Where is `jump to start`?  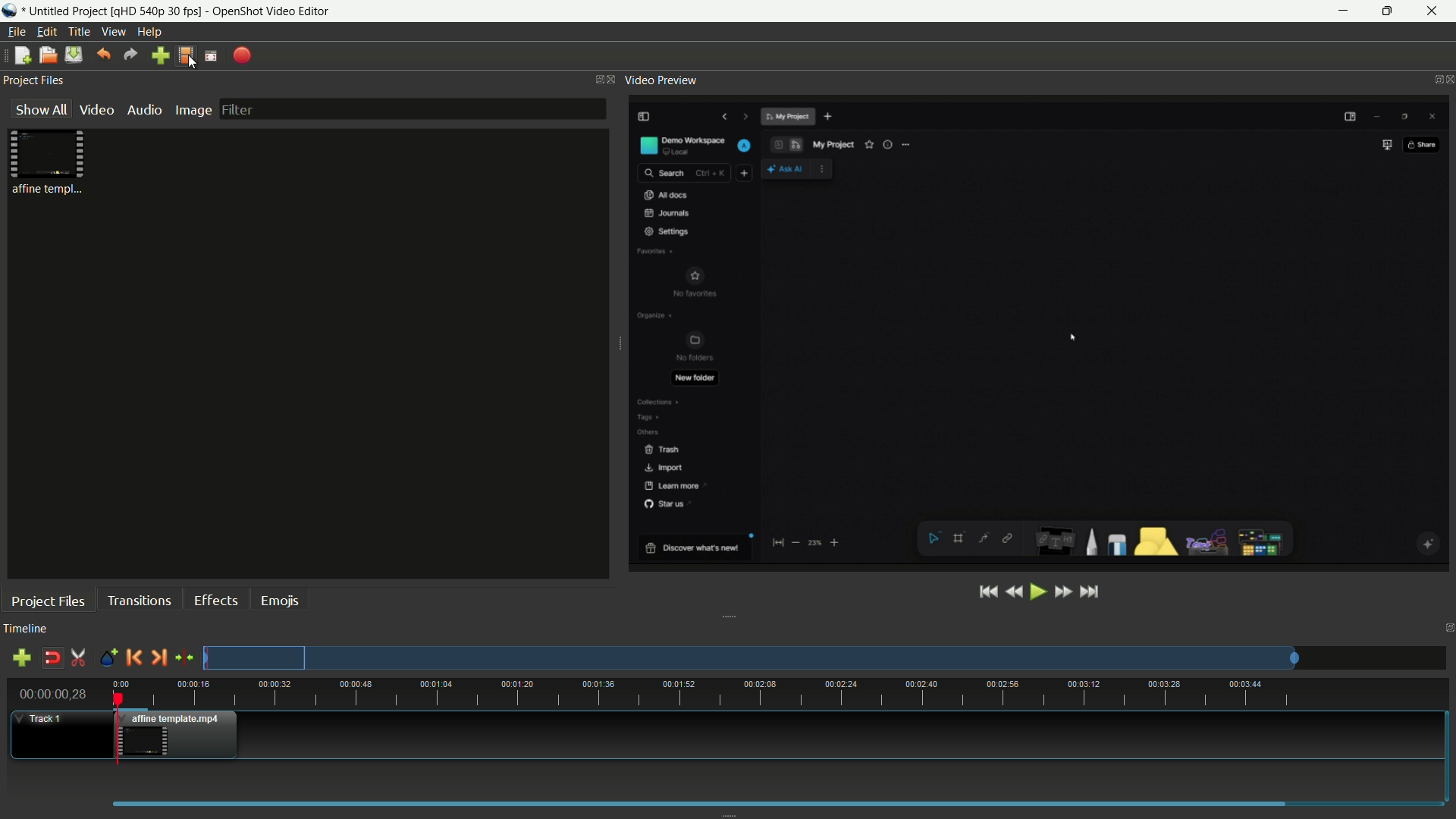
jump to start is located at coordinates (990, 592).